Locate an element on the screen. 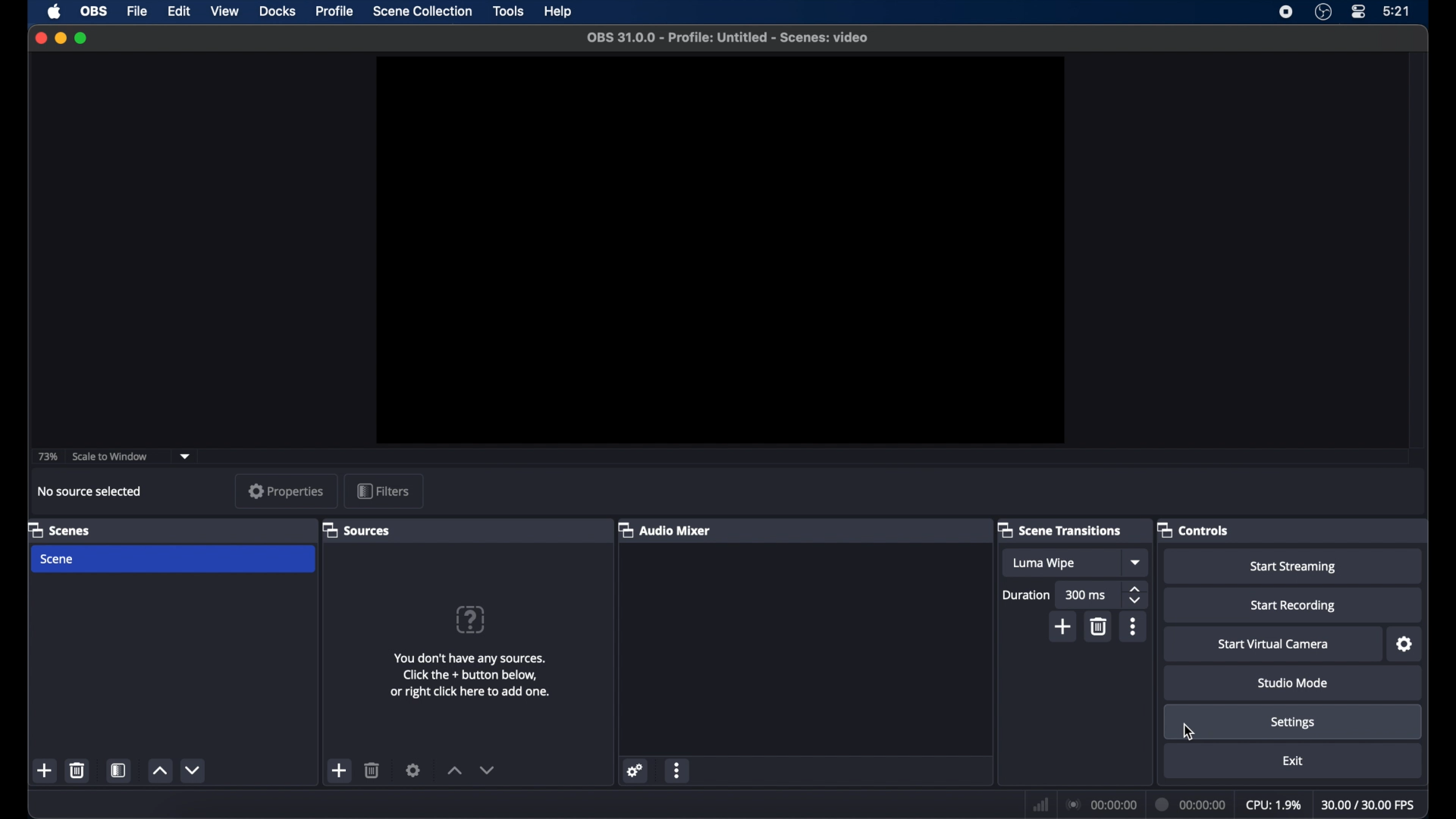 The image size is (1456, 819). scene collection is located at coordinates (422, 12).